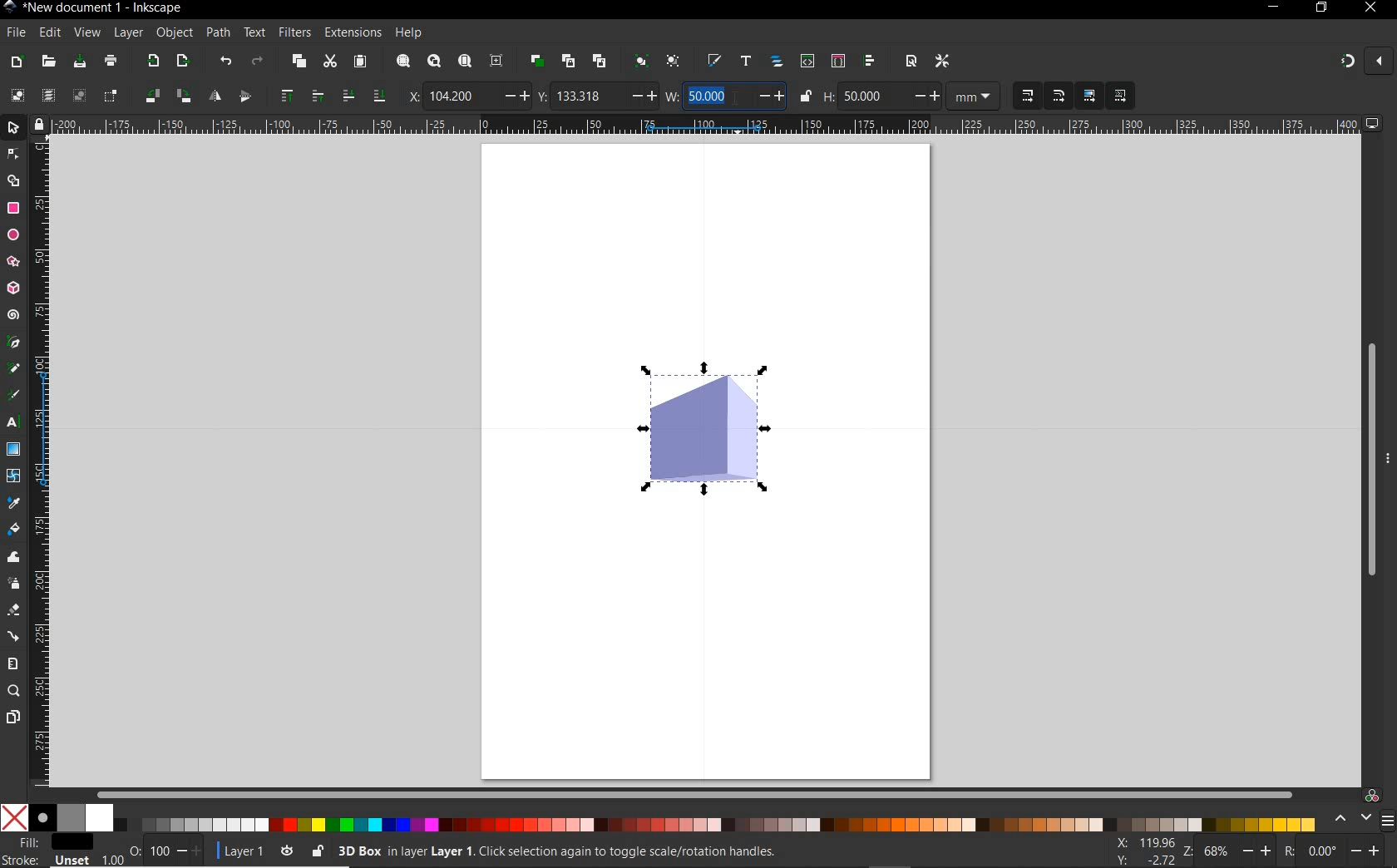 The image size is (1397, 868). I want to click on paint bucket tool, so click(15, 530).